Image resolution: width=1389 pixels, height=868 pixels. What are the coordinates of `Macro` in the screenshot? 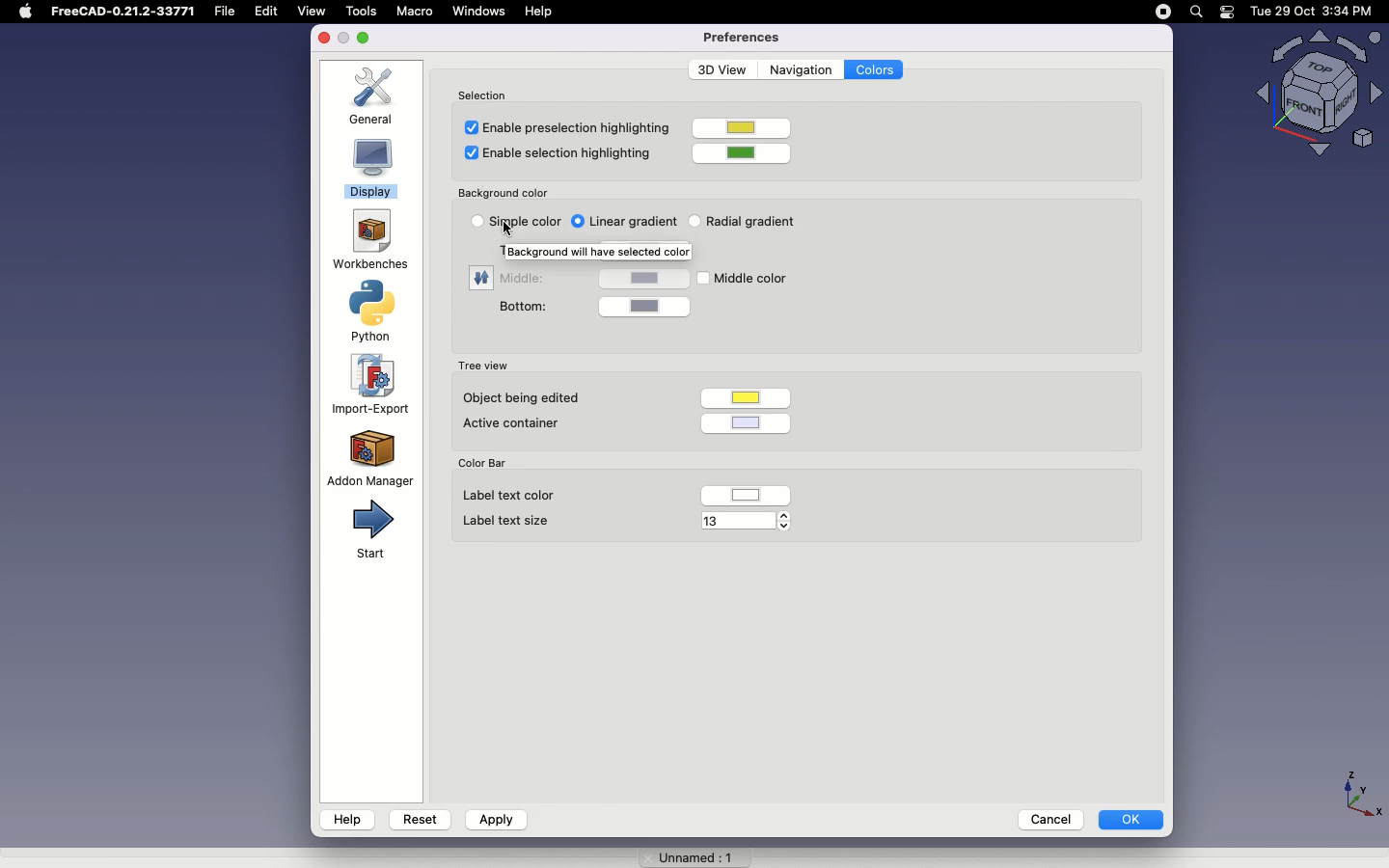 It's located at (414, 11).